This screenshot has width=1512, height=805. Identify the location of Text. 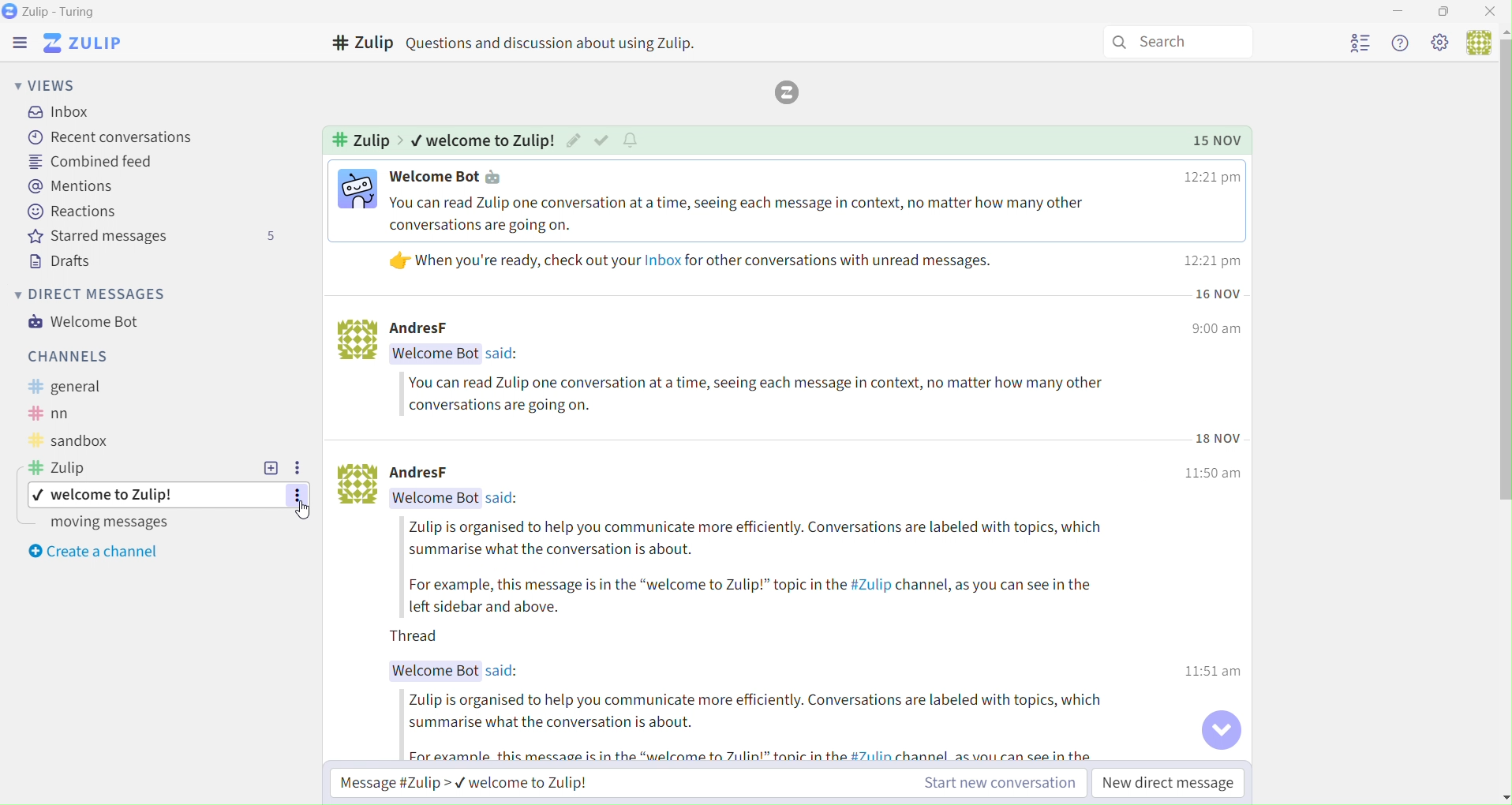
(762, 597).